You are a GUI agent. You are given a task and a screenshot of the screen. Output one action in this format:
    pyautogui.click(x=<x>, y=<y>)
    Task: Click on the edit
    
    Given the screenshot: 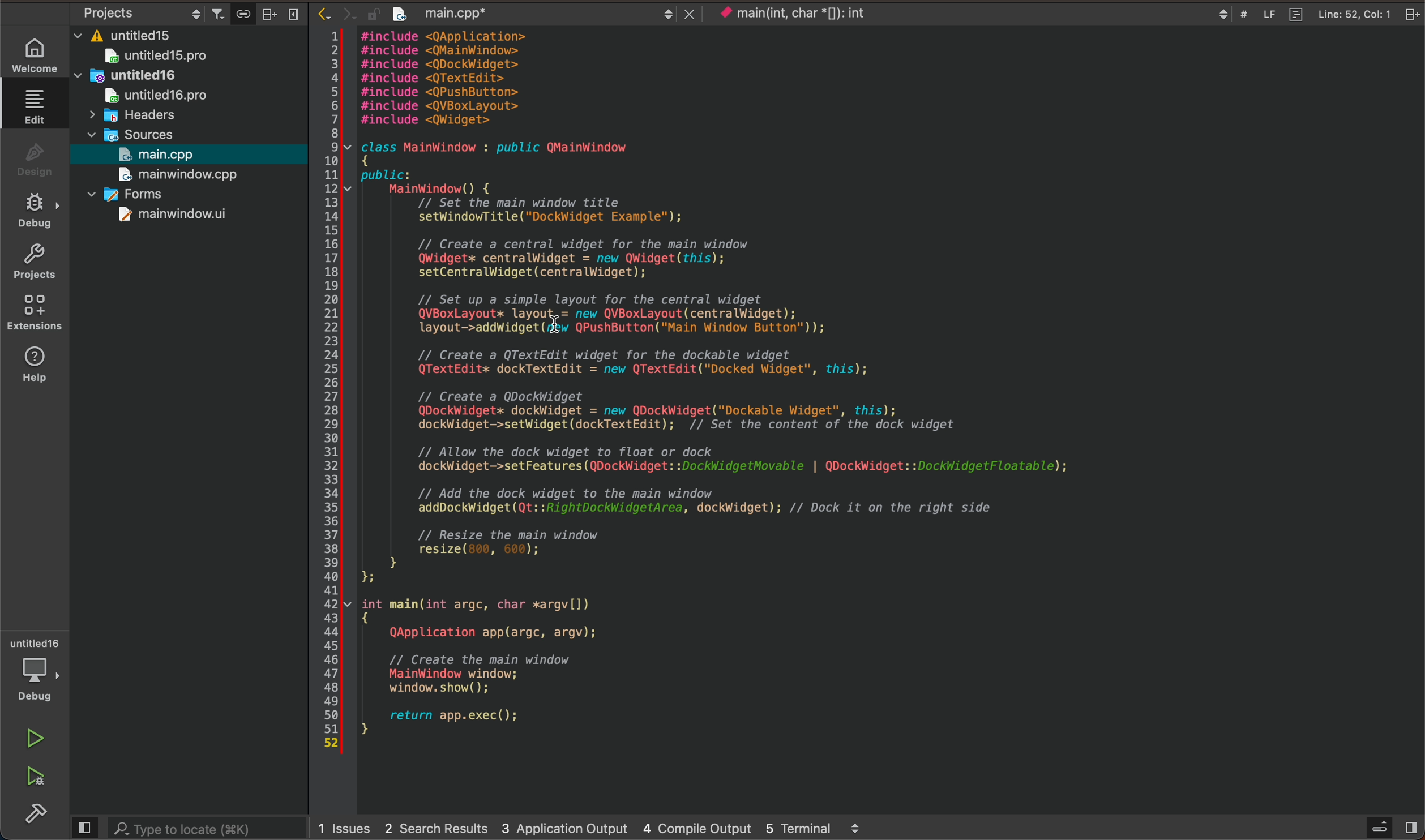 What is the action you would take?
    pyautogui.click(x=29, y=104)
    